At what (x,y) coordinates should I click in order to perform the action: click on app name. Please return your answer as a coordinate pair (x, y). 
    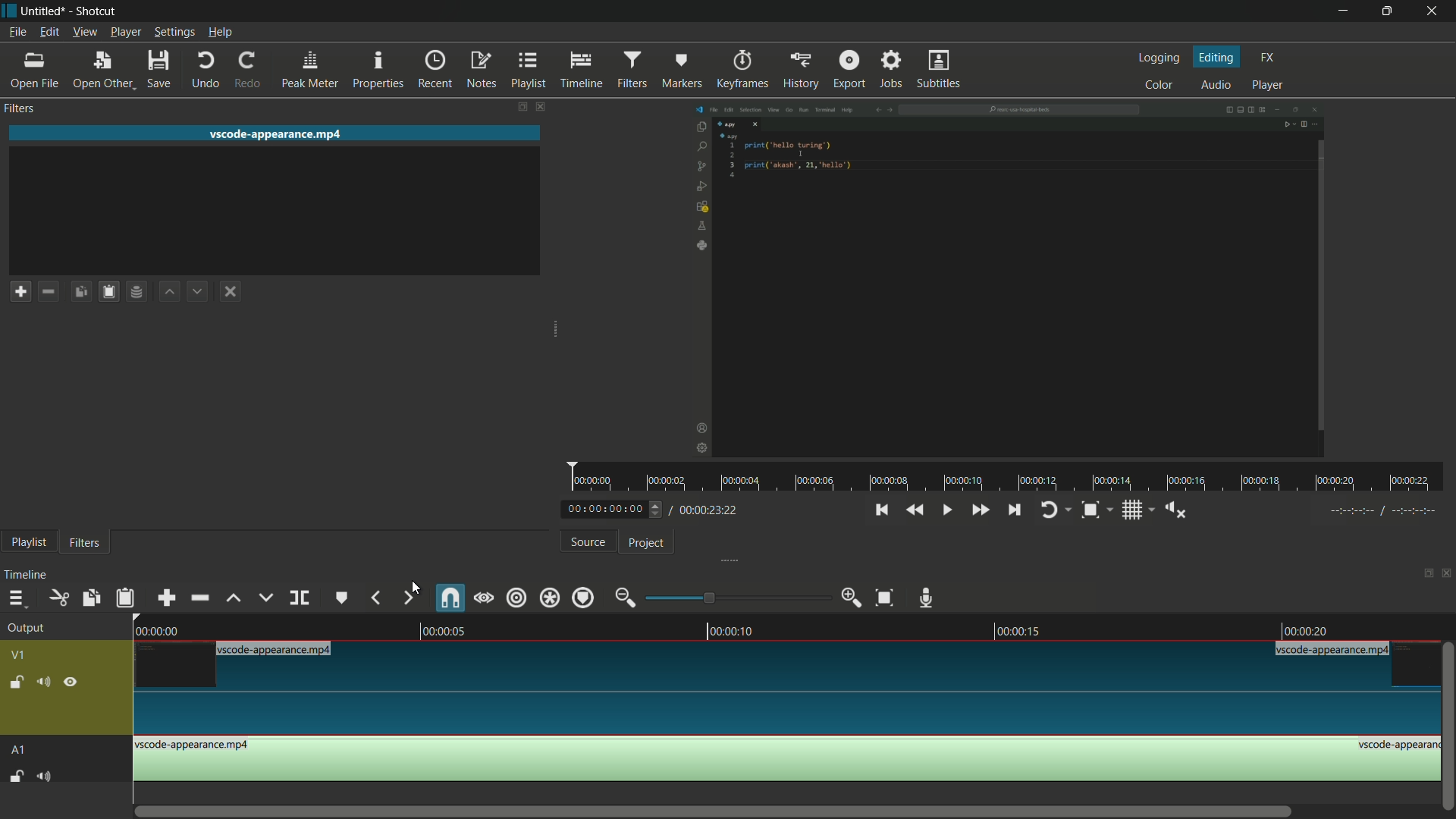
    Looking at the image, I should click on (96, 12).